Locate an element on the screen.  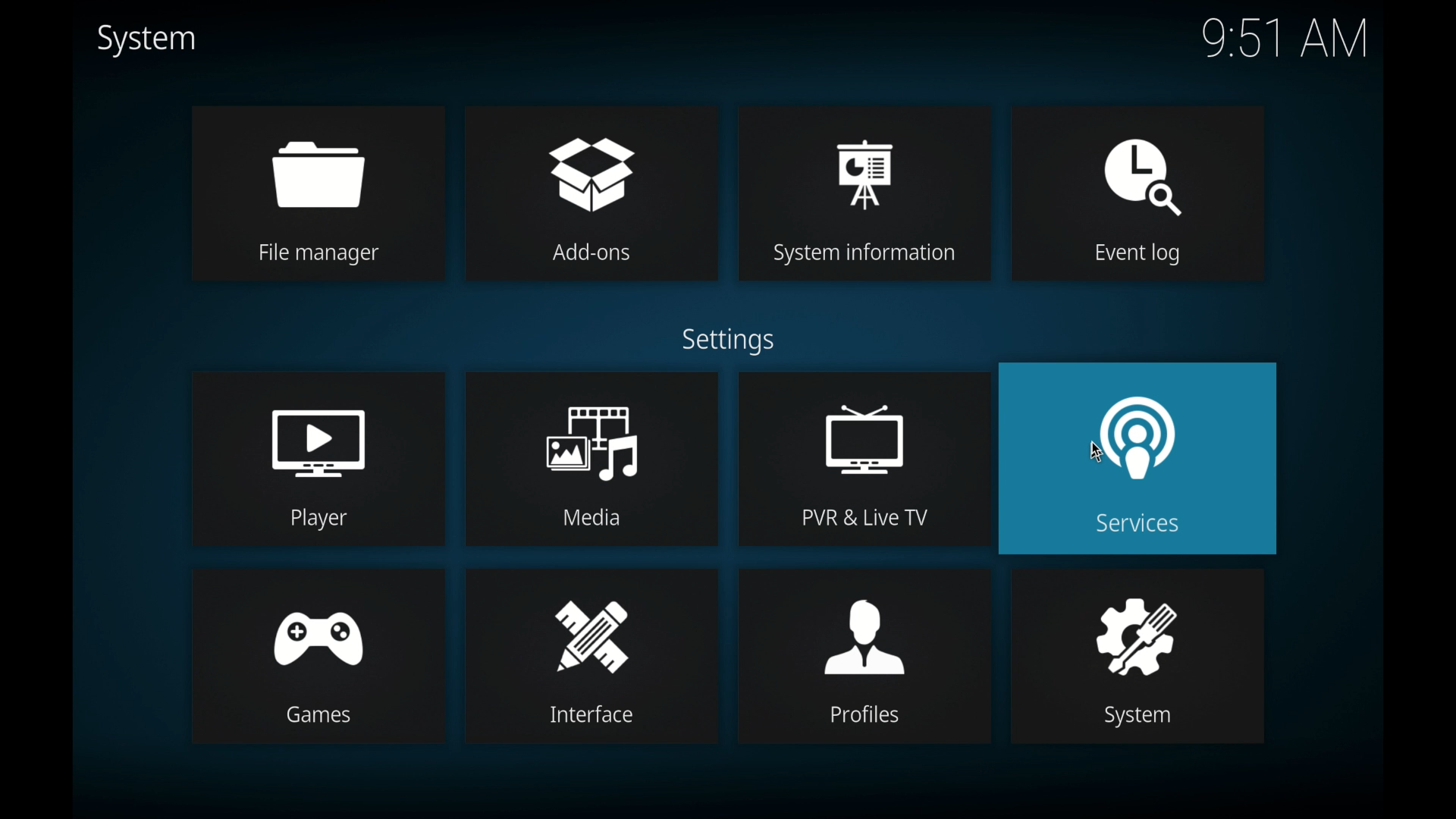
event log is located at coordinates (1139, 194).